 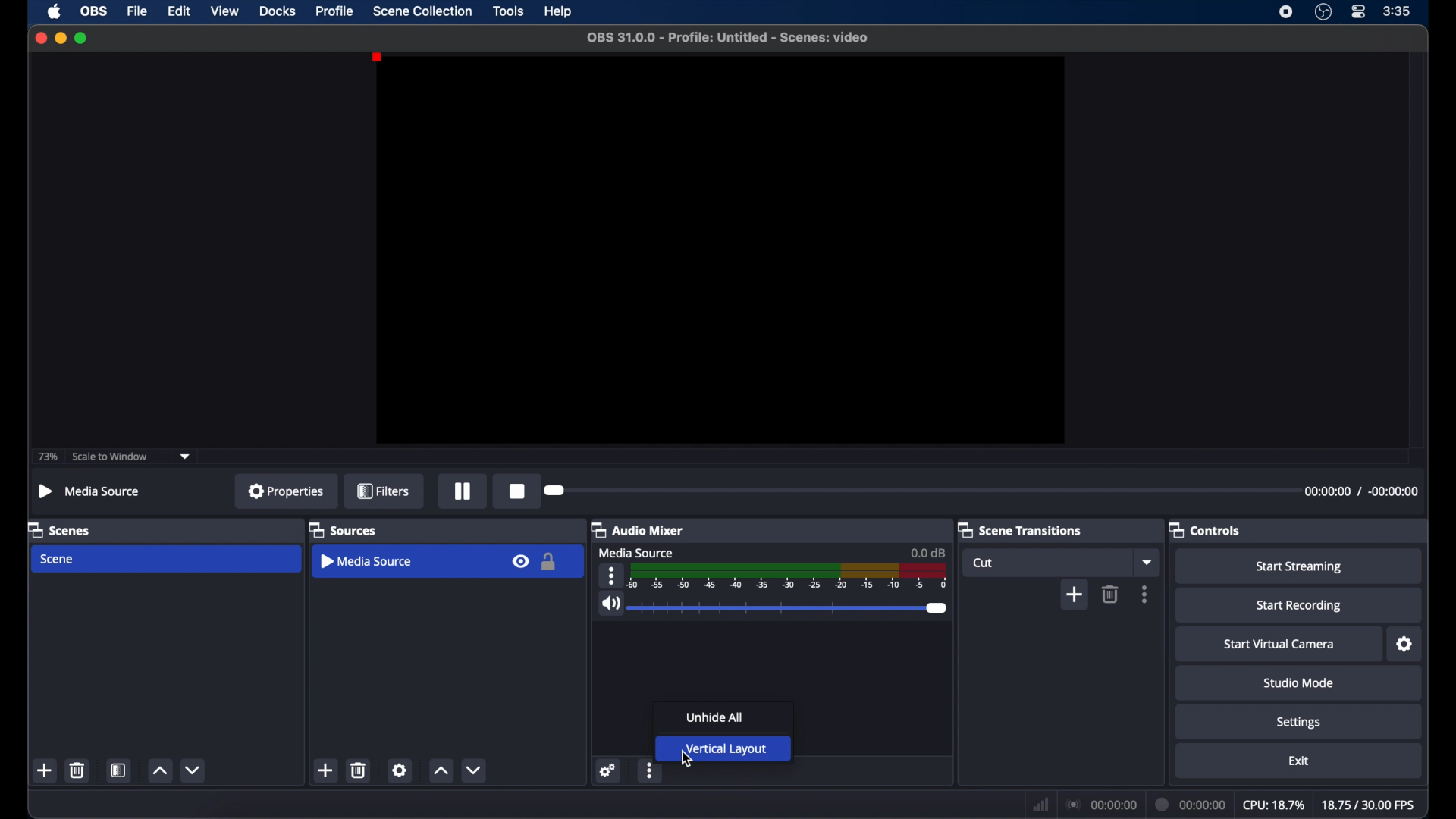 I want to click on add, so click(x=326, y=770).